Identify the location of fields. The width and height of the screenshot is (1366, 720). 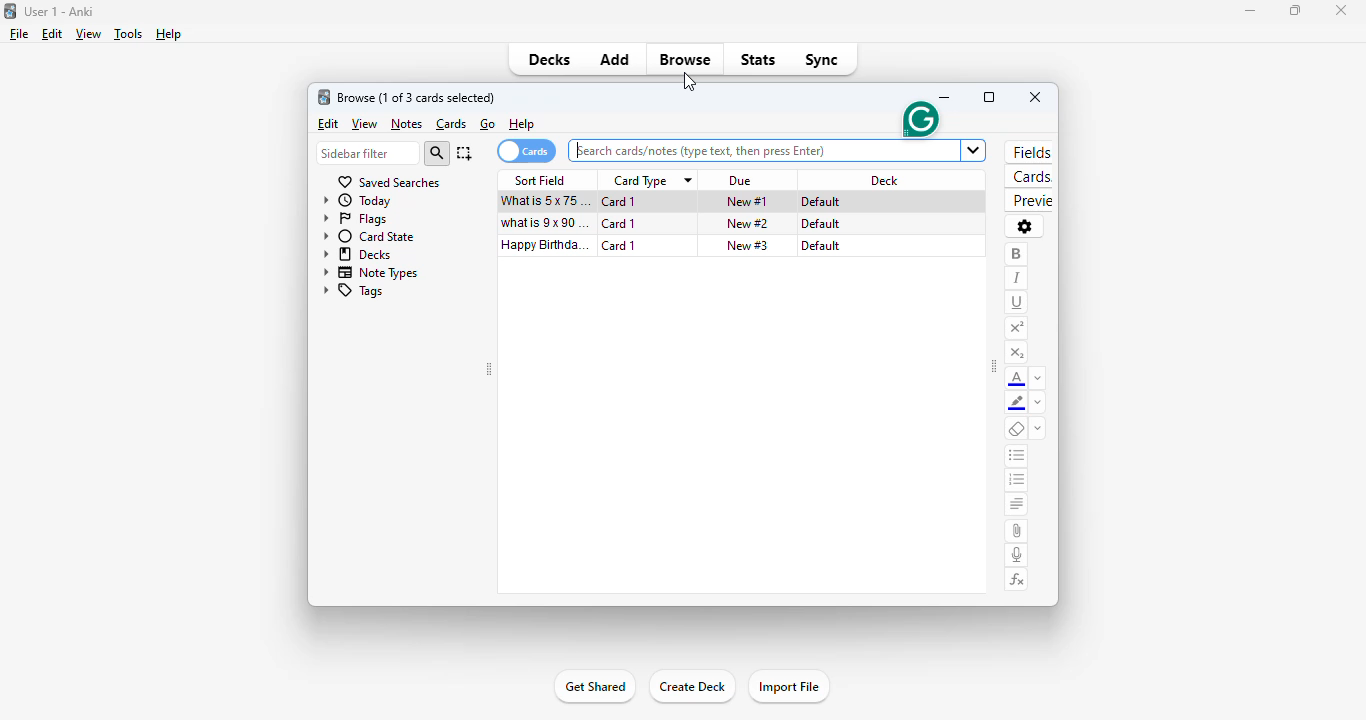
(1031, 152).